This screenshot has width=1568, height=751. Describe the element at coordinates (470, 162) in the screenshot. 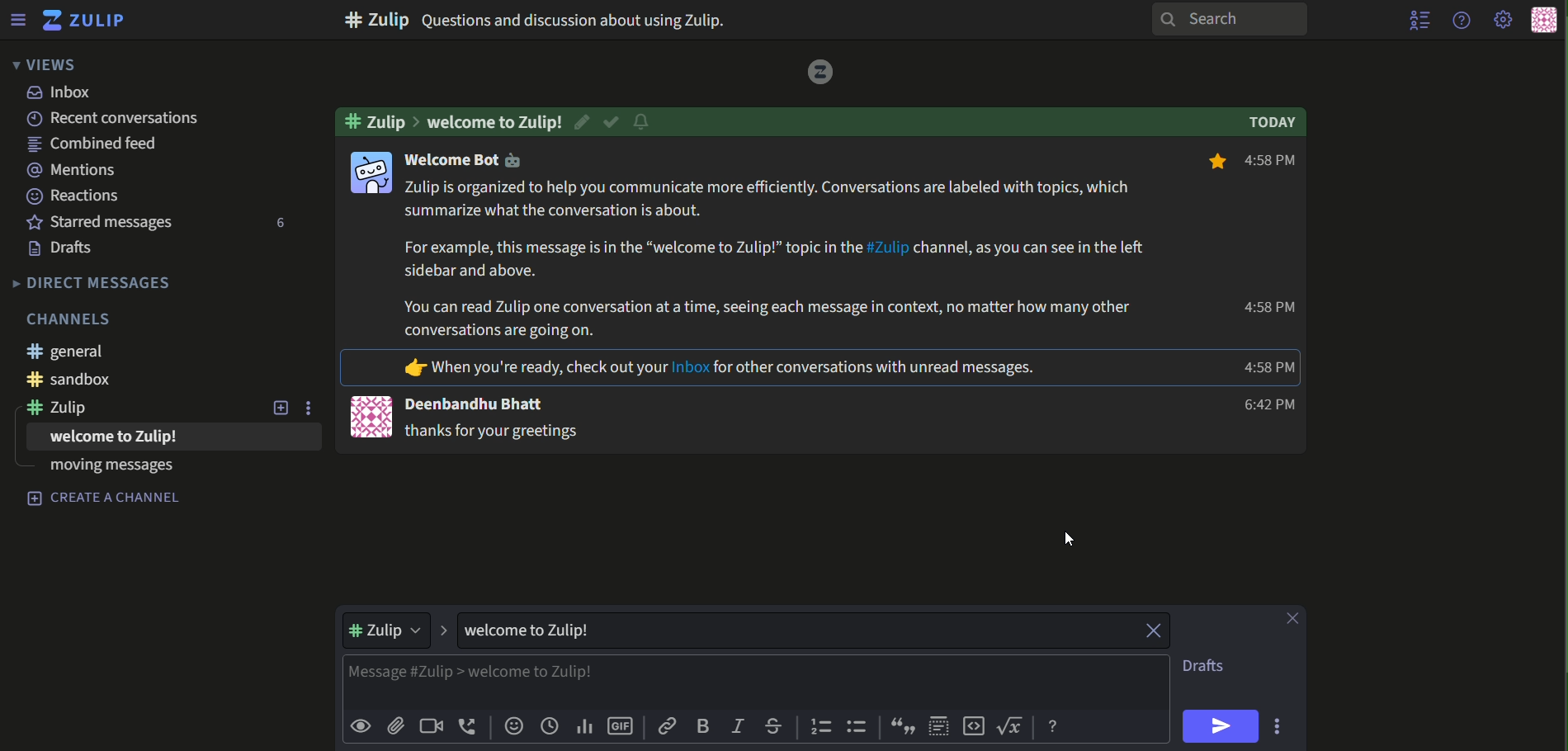

I see `text` at that location.